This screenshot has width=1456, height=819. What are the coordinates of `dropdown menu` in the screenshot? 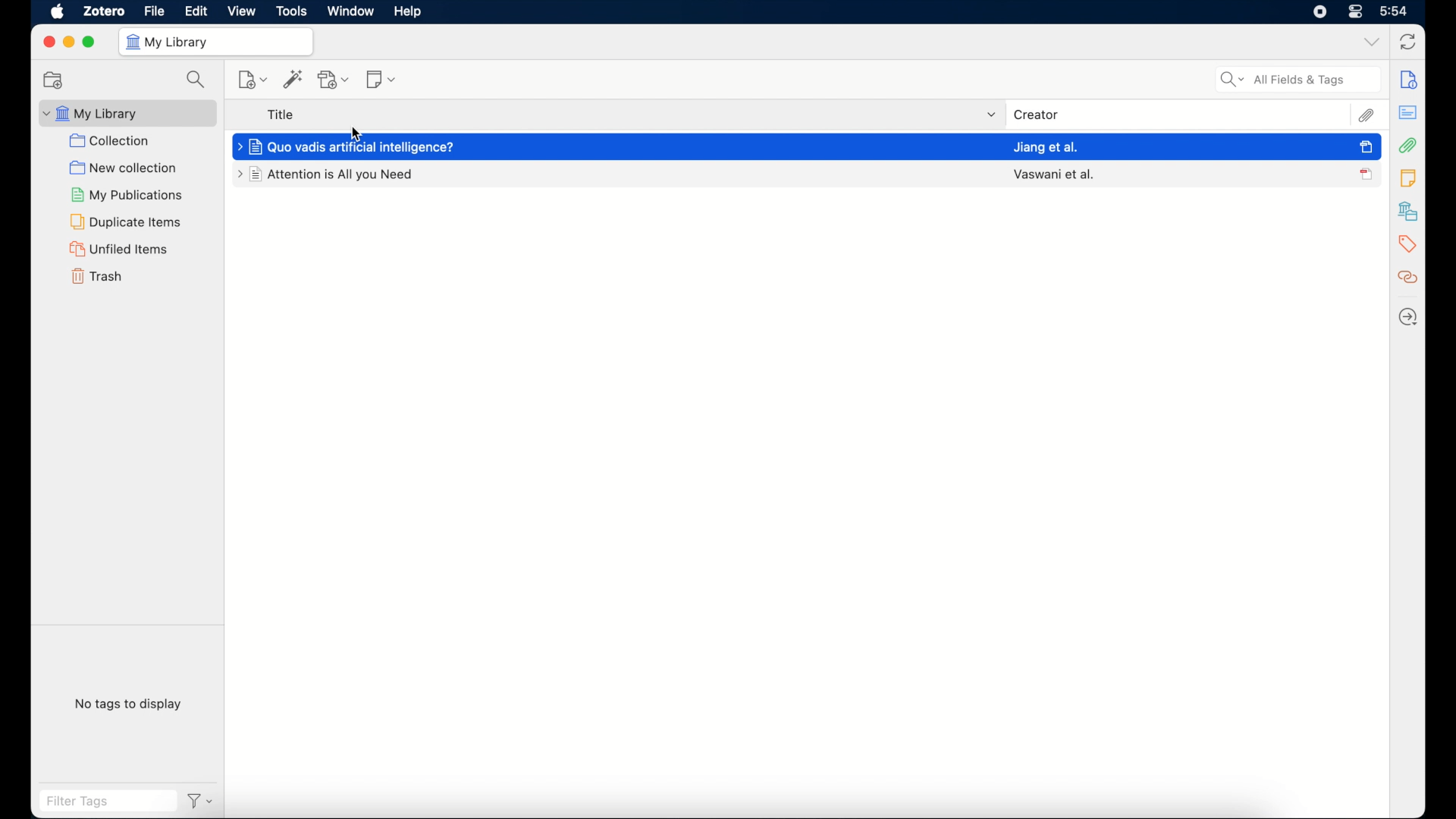 It's located at (1370, 43).